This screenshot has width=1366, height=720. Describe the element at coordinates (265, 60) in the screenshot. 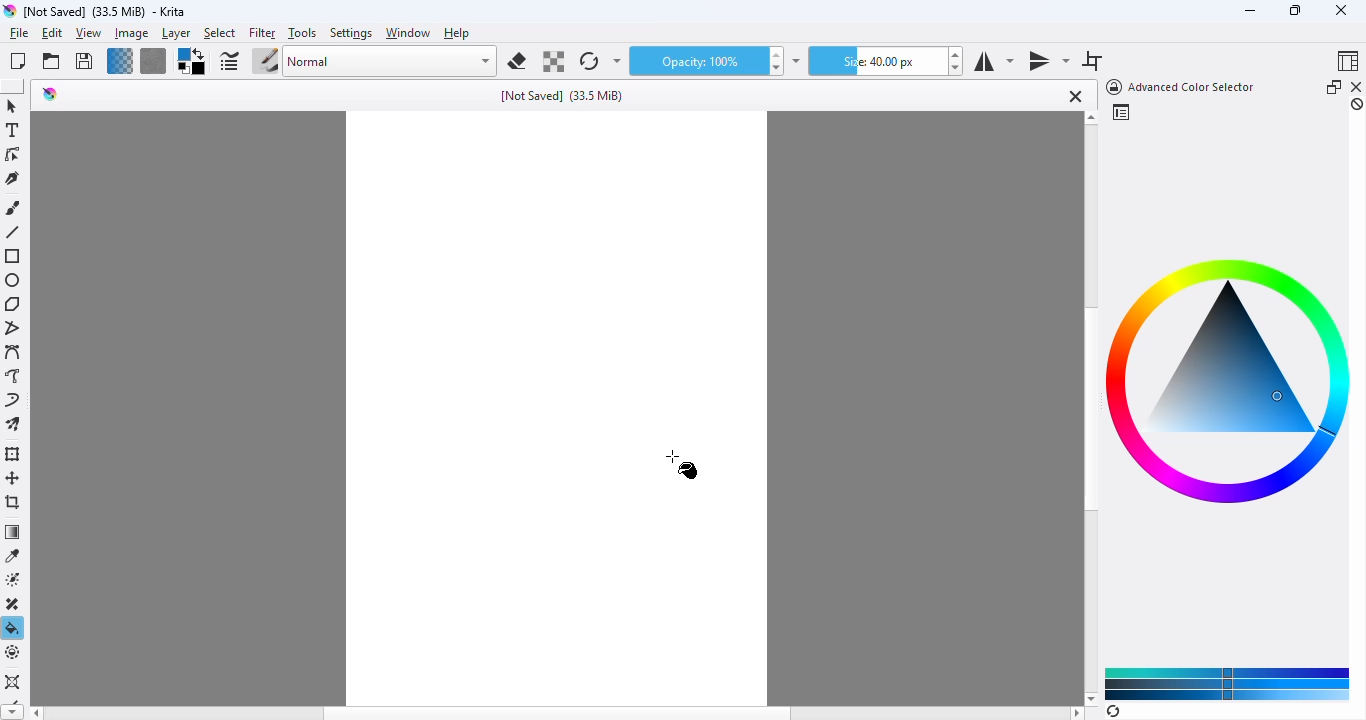

I see `choose brush preset` at that location.